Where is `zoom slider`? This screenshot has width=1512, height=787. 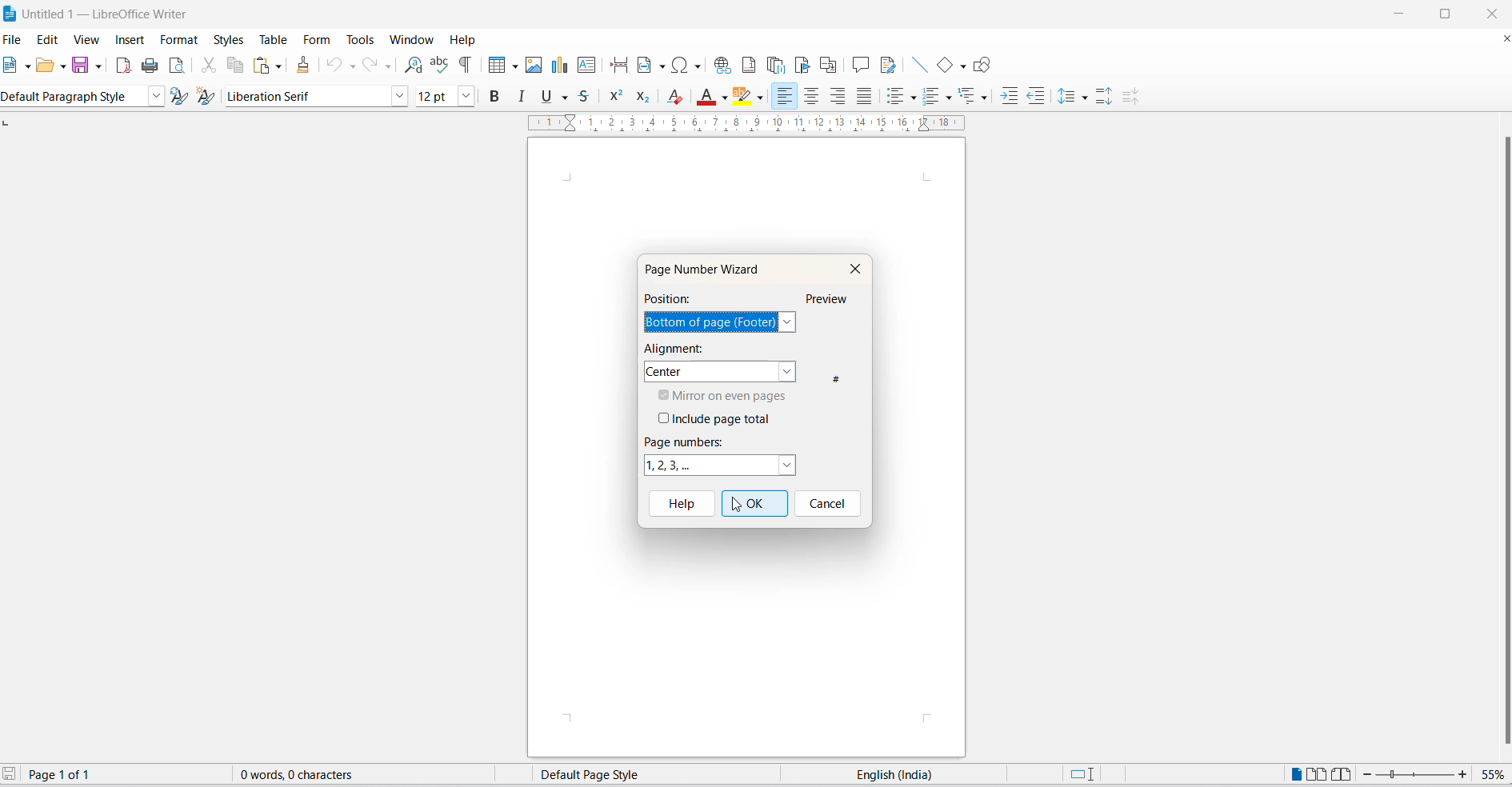
zoom slider is located at coordinates (1417, 776).